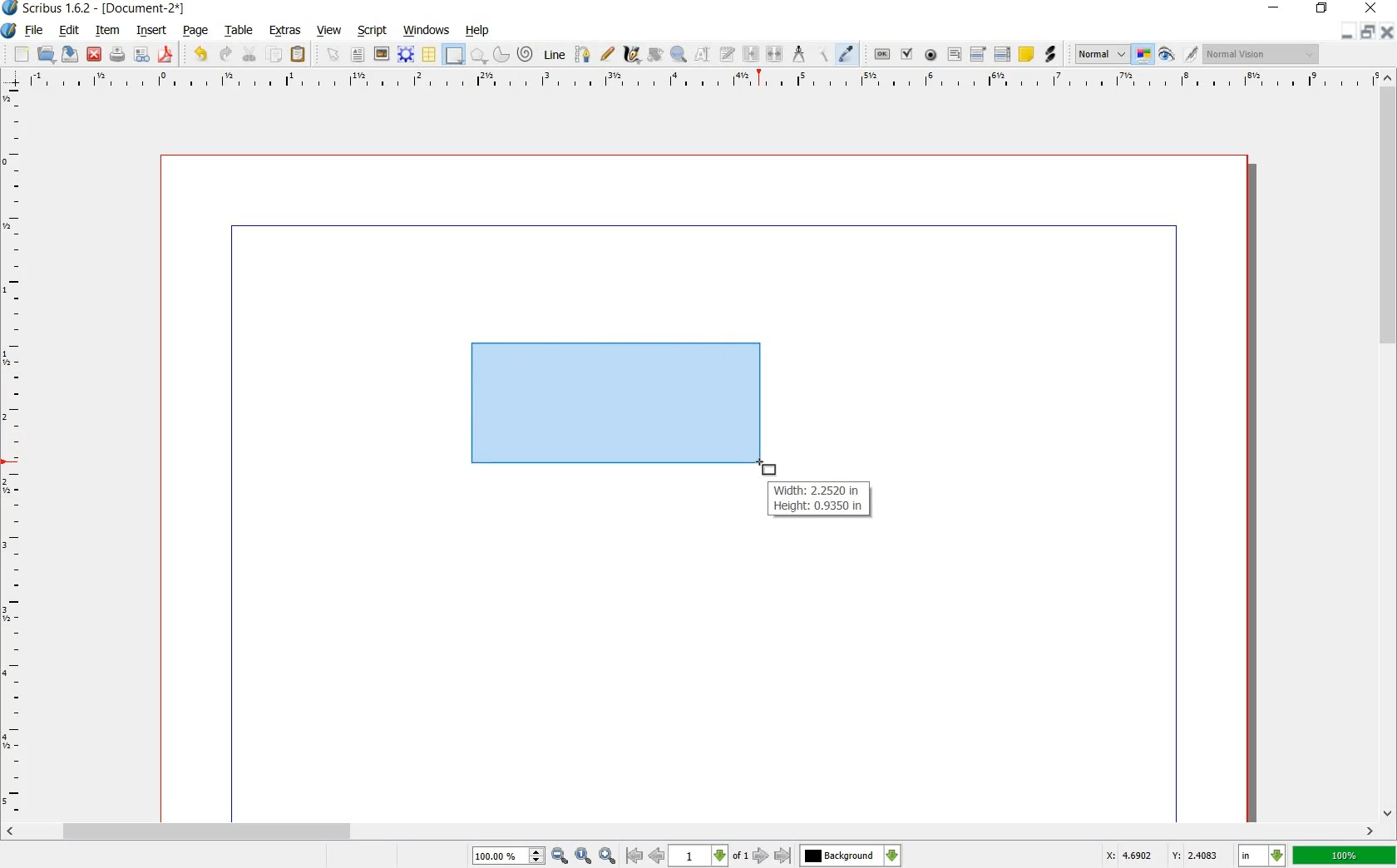 The width and height of the screenshot is (1397, 868). I want to click on RESTORE, so click(1370, 32).